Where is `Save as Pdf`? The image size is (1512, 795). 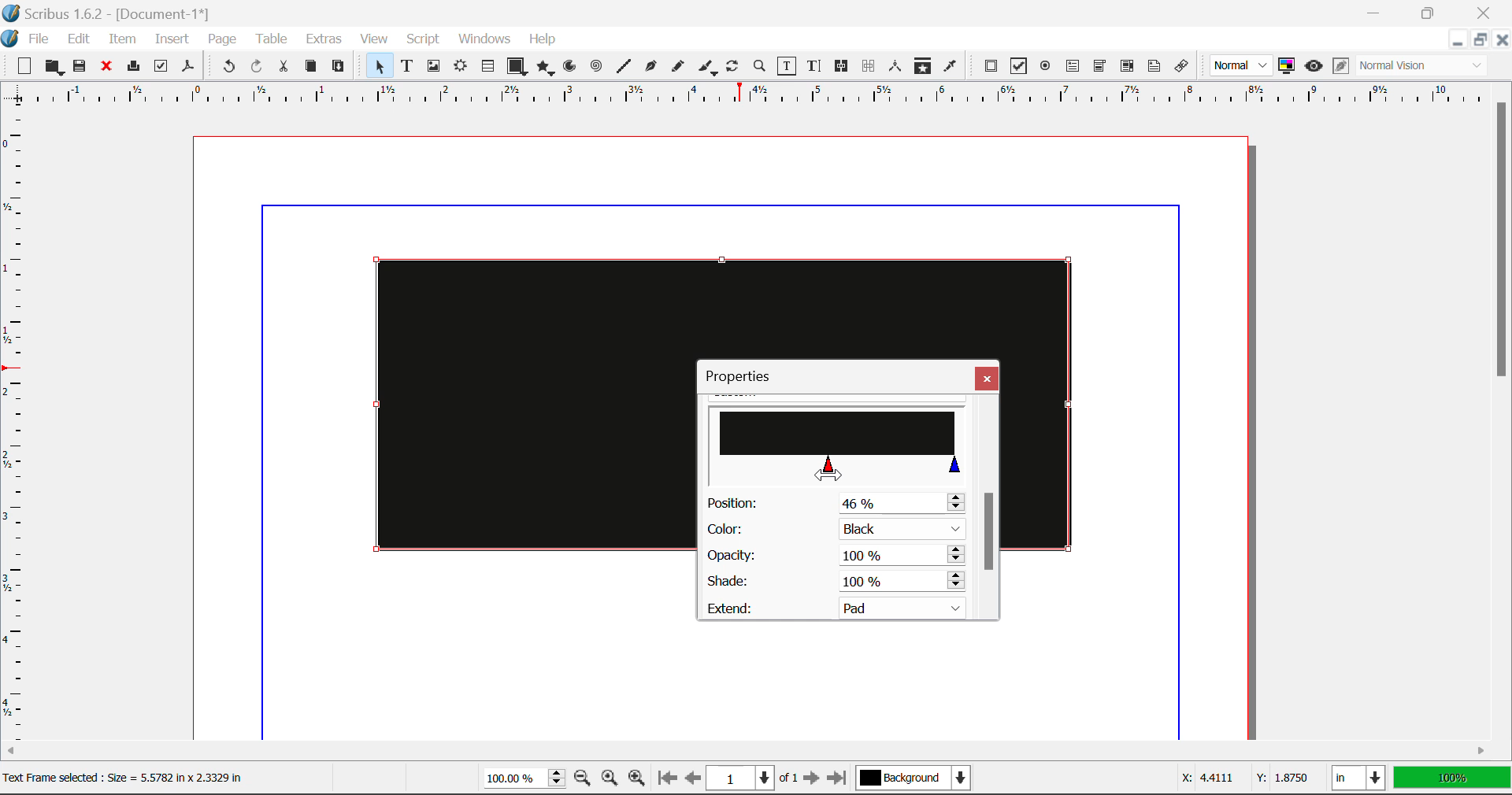 Save as Pdf is located at coordinates (188, 68).